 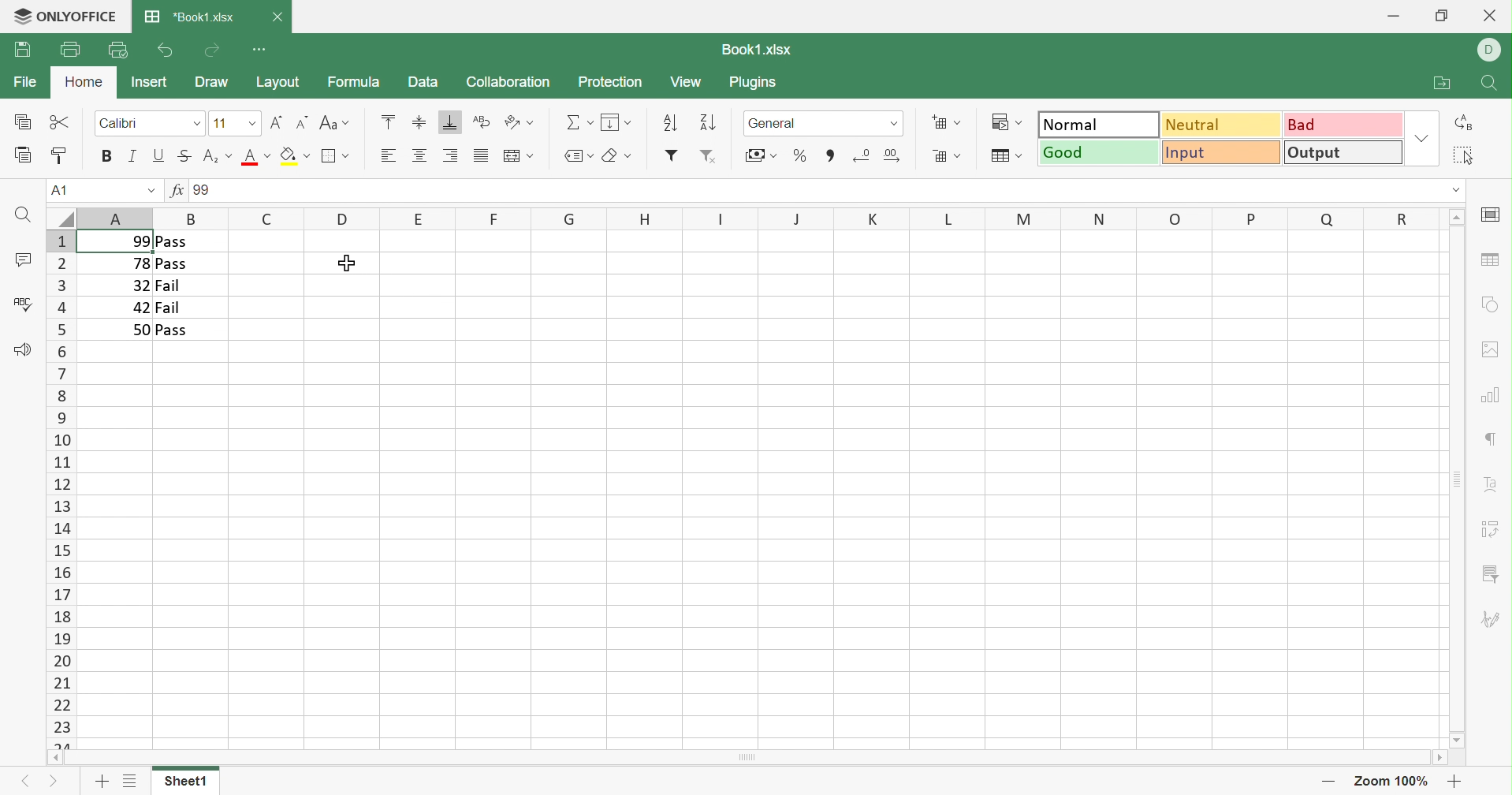 I want to click on Font size, so click(x=234, y=123).